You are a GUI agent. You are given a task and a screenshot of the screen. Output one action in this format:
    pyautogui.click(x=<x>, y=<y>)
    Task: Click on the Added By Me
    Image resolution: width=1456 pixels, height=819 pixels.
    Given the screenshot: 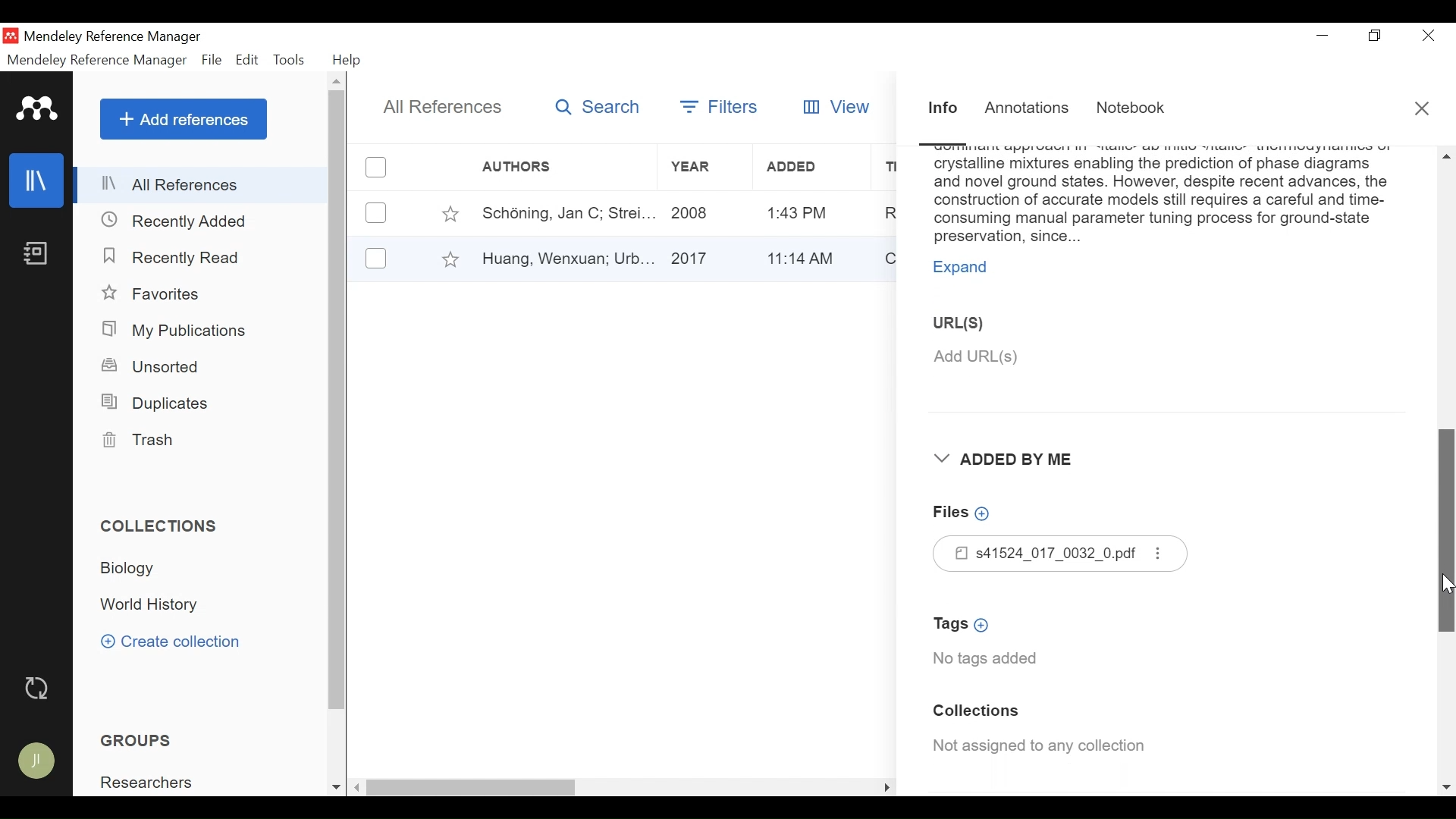 What is the action you would take?
    pyautogui.click(x=1013, y=460)
    